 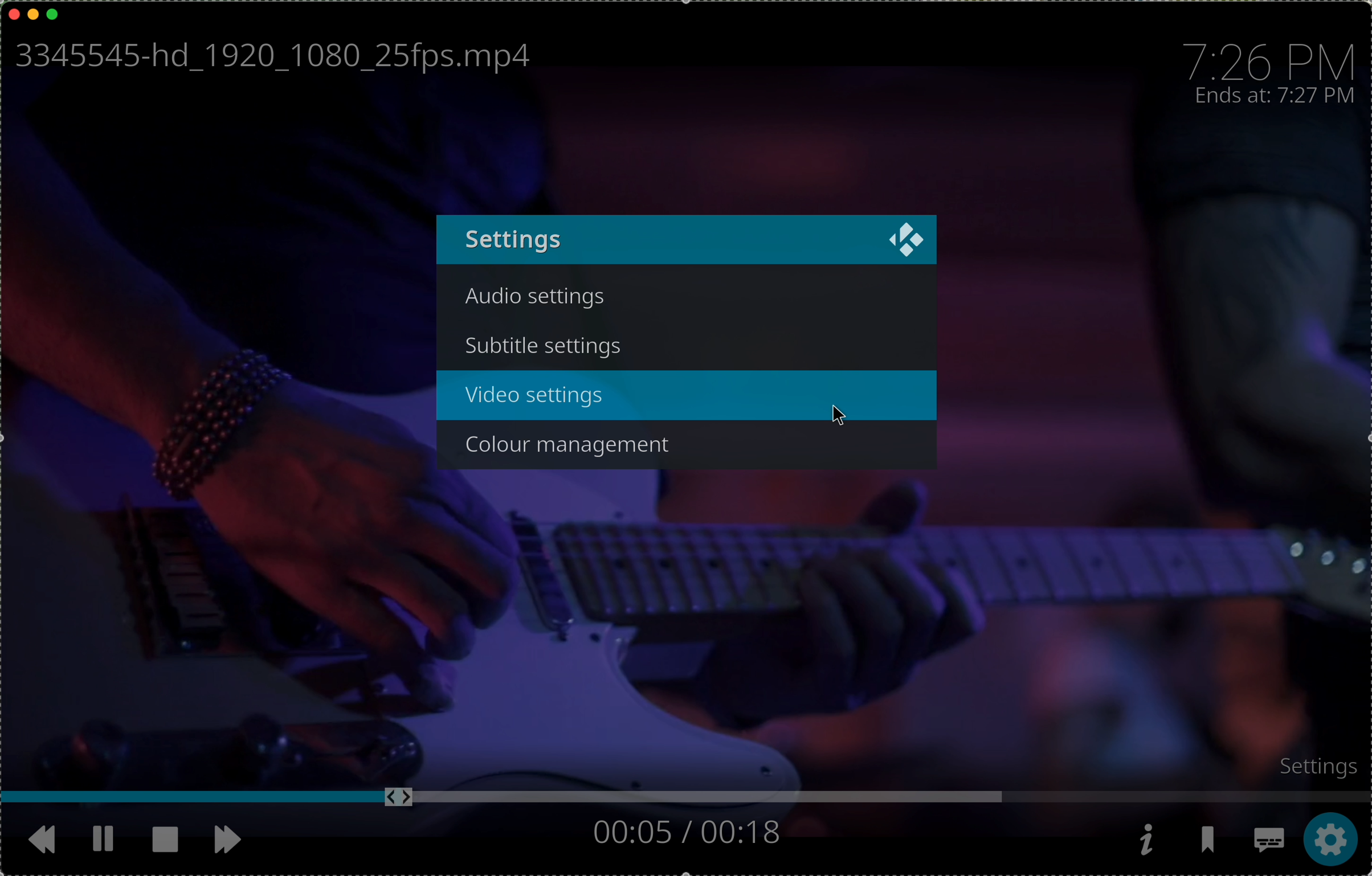 I want to click on minimise, so click(x=33, y=13).